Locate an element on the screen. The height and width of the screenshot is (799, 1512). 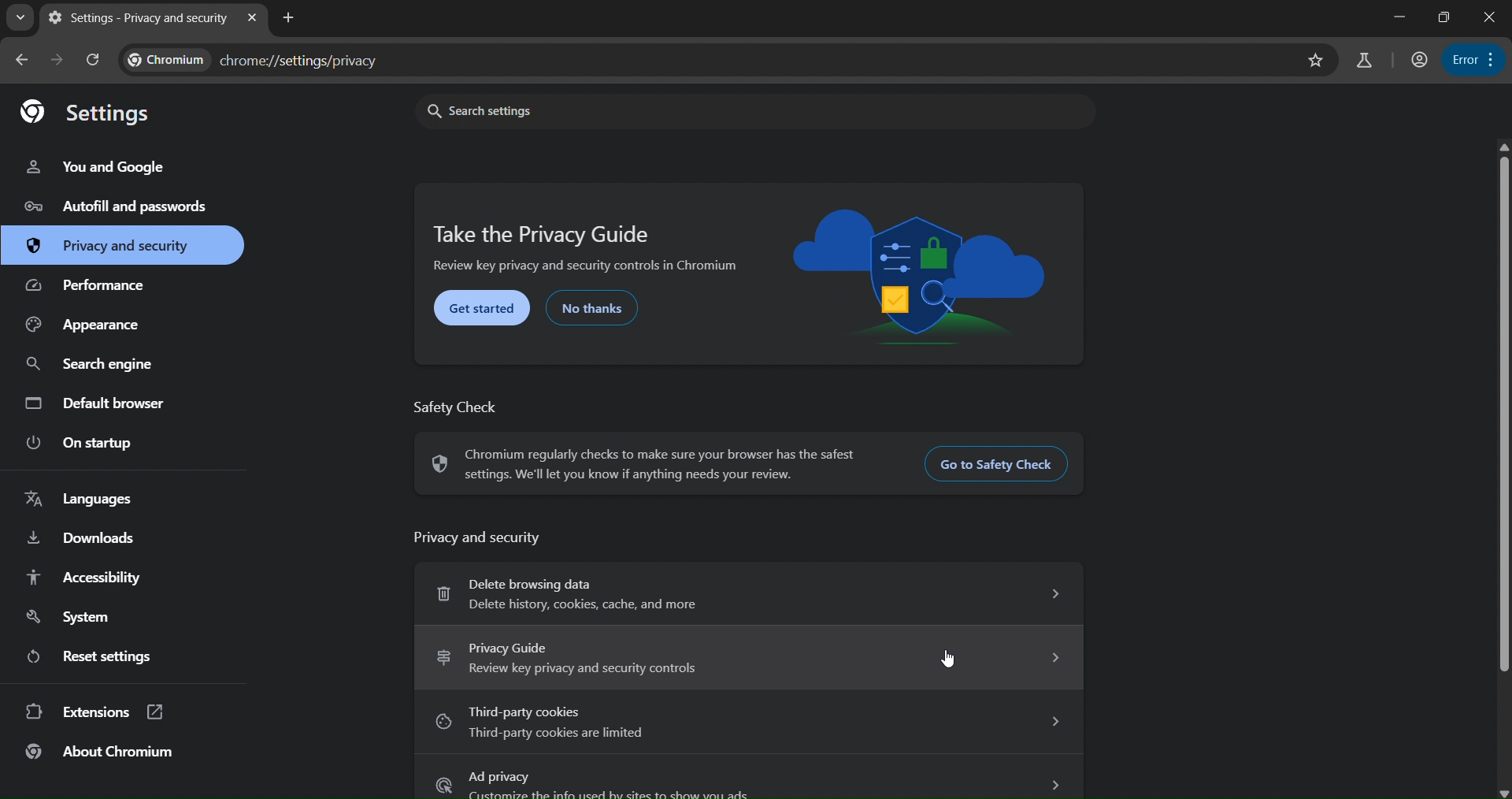
go forward one page is located at coordinates (58, 59).